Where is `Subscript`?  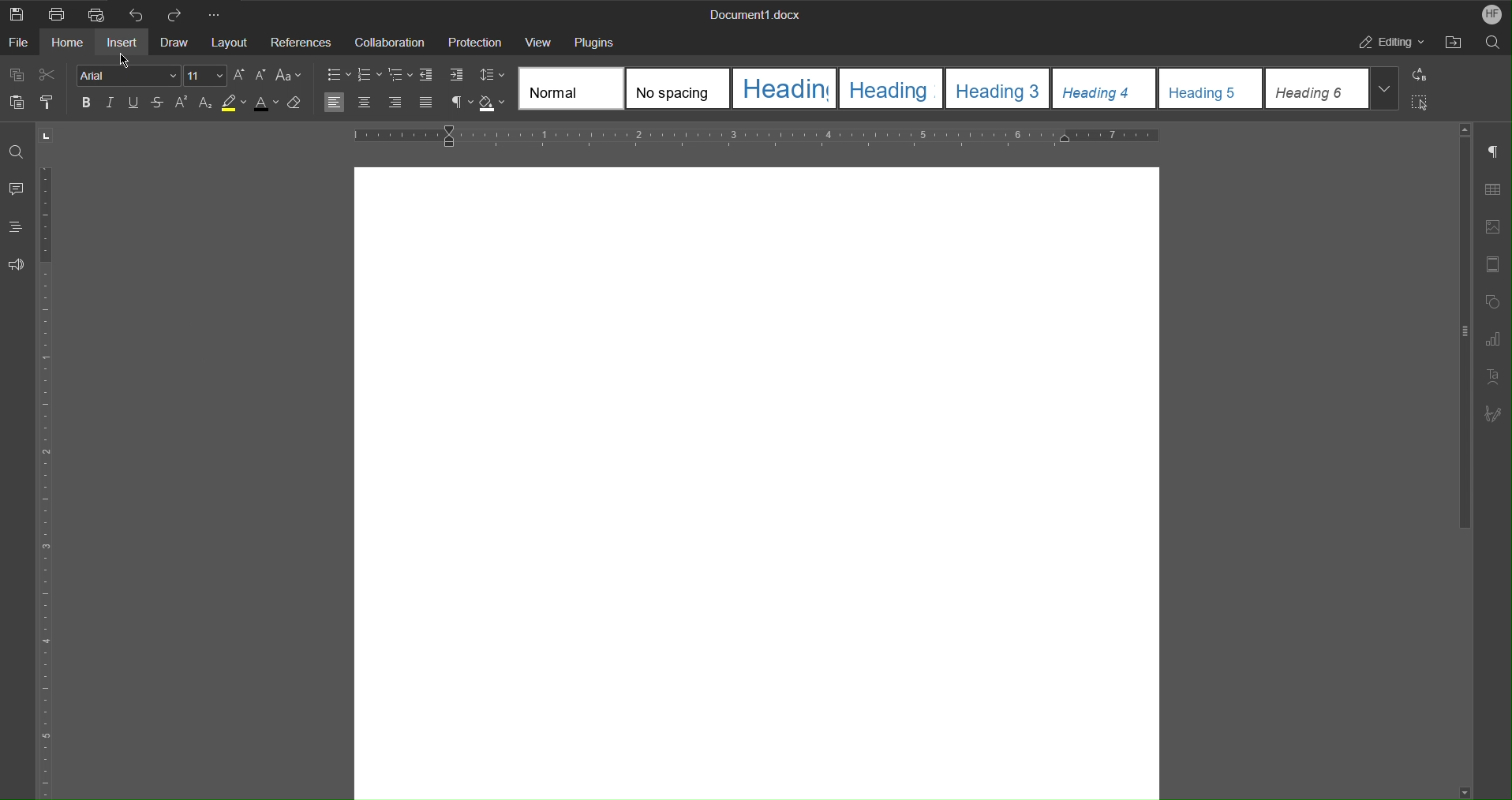 Subscript is located at coordinates (205, 103).